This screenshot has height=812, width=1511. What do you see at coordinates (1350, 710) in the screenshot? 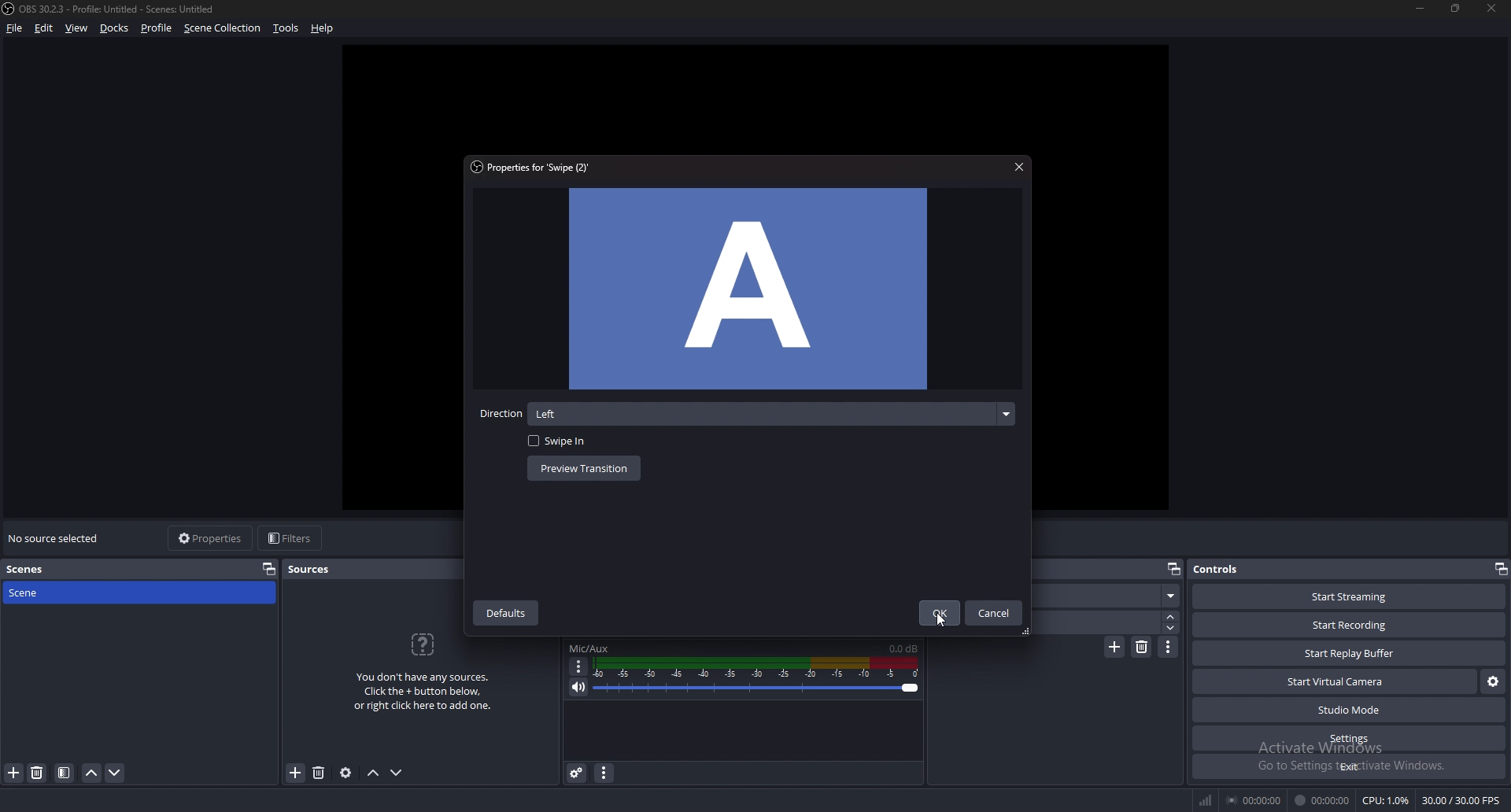
I see `studio mode` at bounding box center [1350, 710].